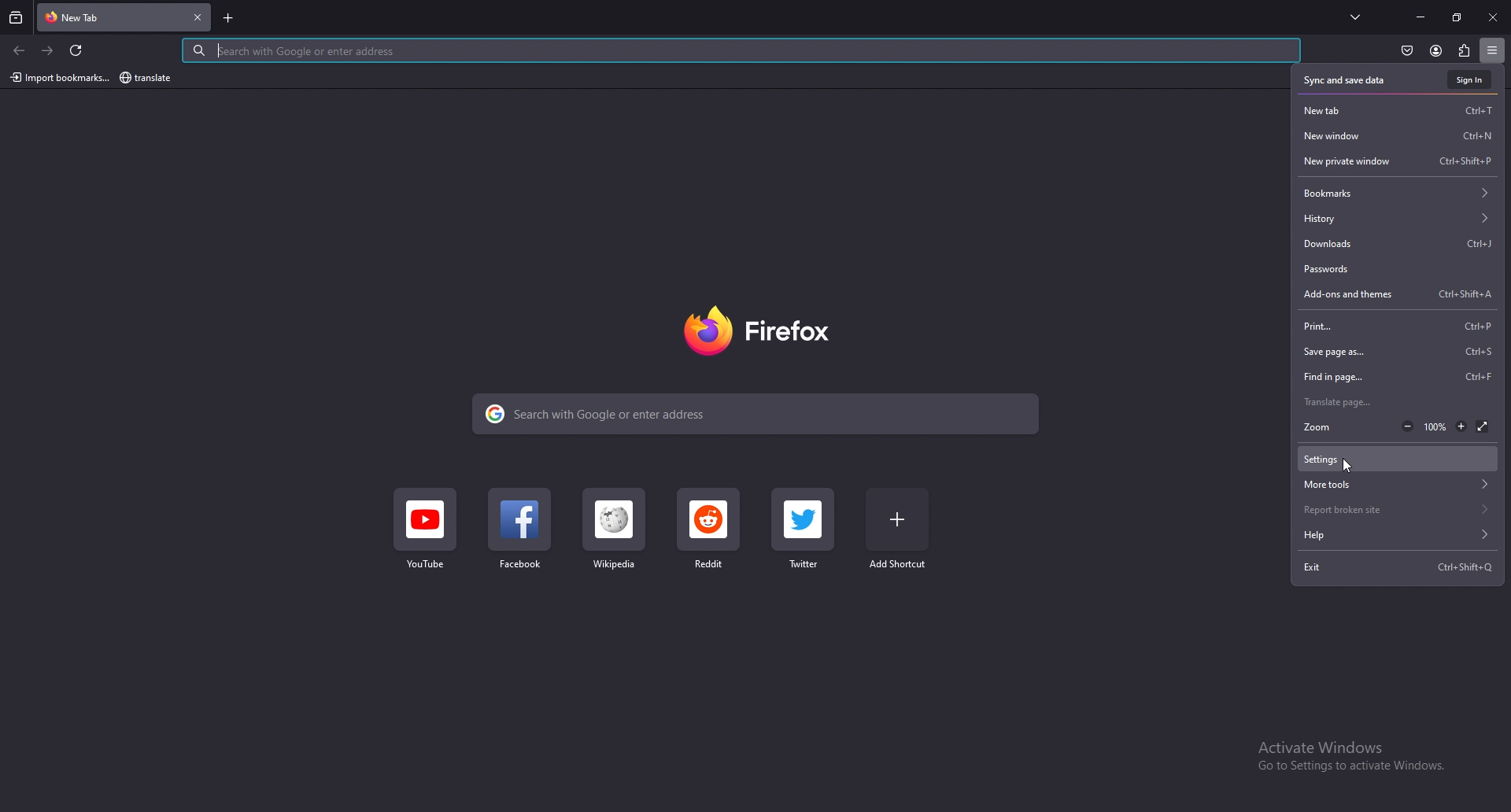 Image resolution: width=1511 pixels, height=812 pixels. Describe the element at coordinates (58, 77) in the screenshot. I see `import bookmark` at that location.